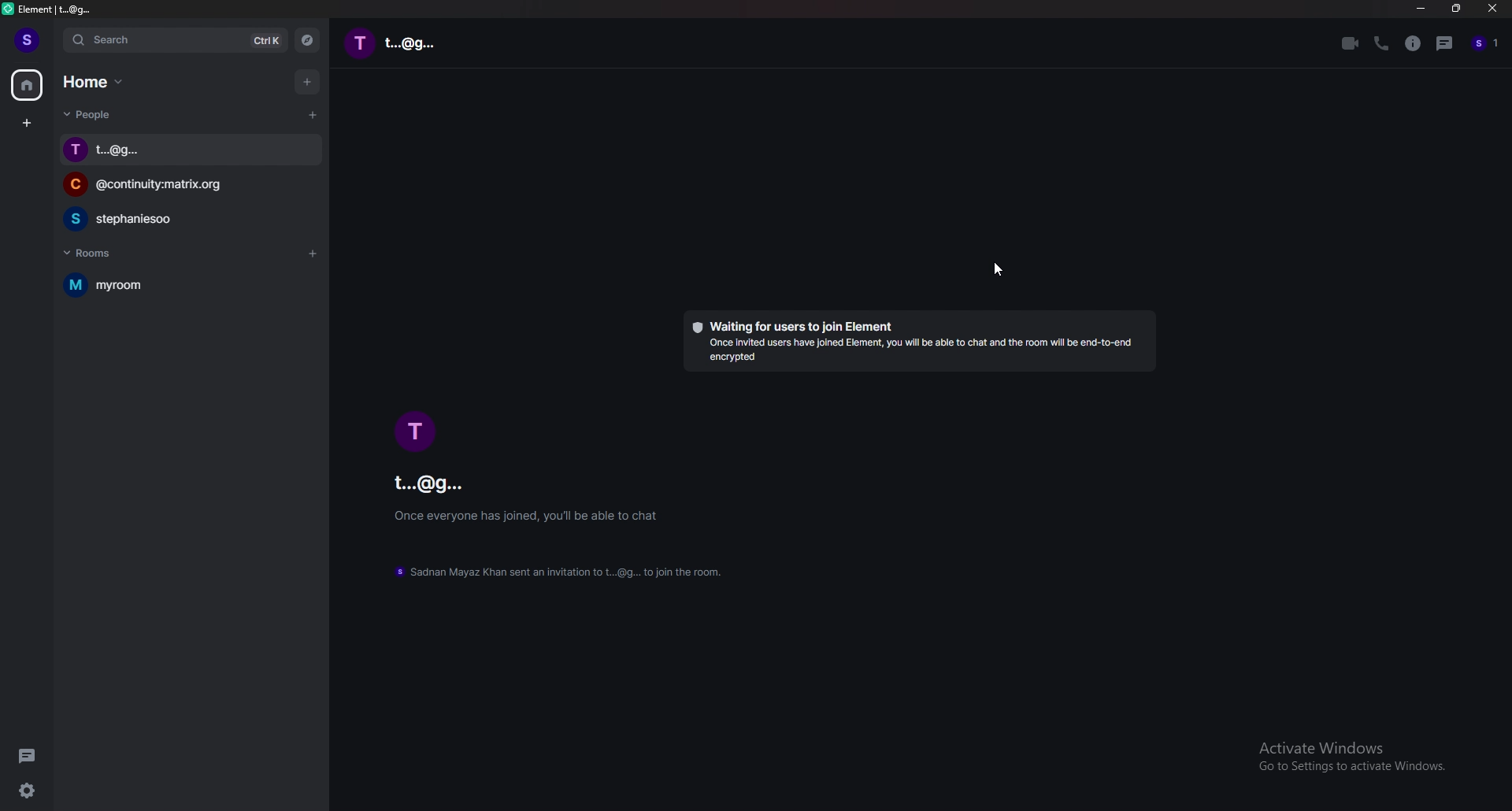 The image size is (1512, 811). I want to click on home, so click(97, 81).